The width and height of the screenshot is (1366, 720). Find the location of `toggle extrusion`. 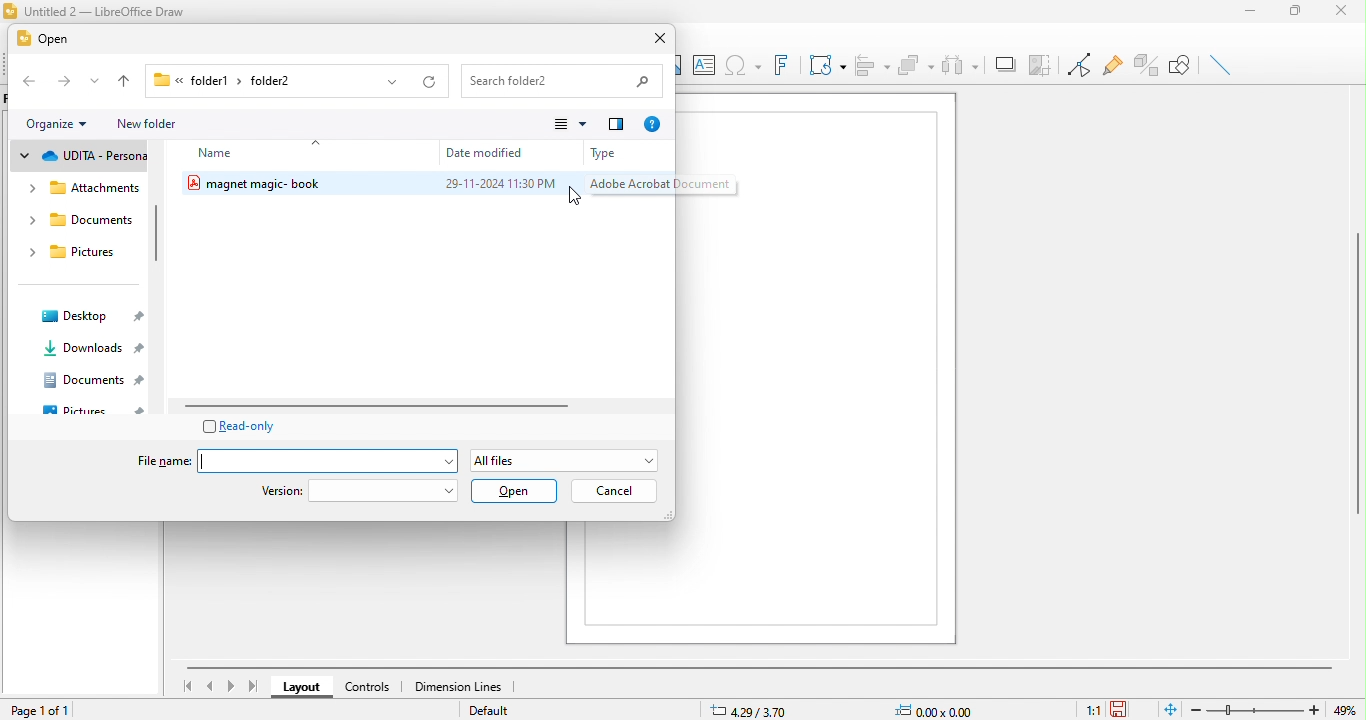

toggle extrusion is located at coordinates (1146, 65).